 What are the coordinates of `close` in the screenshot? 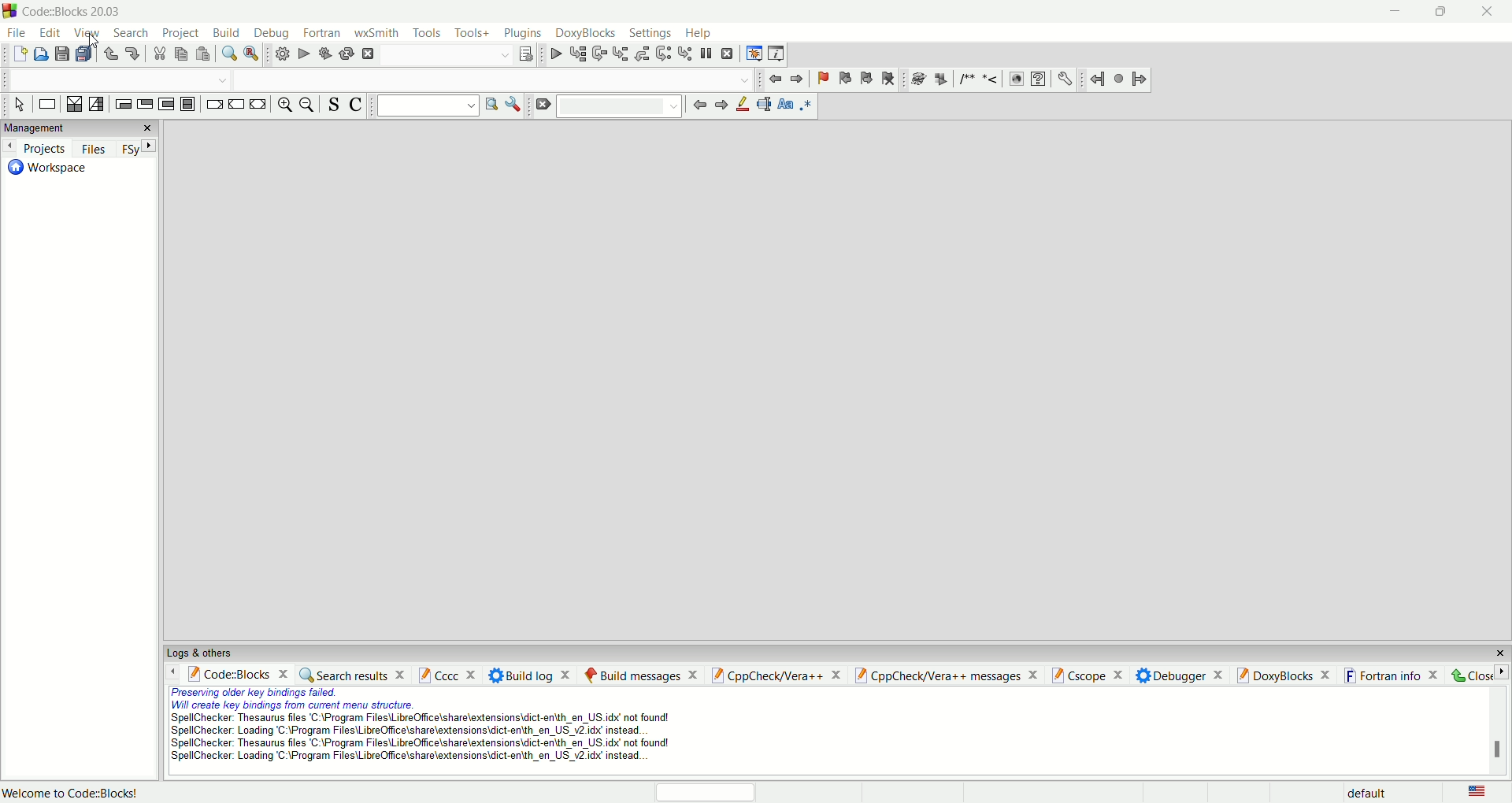 It's located at (1495, 12).